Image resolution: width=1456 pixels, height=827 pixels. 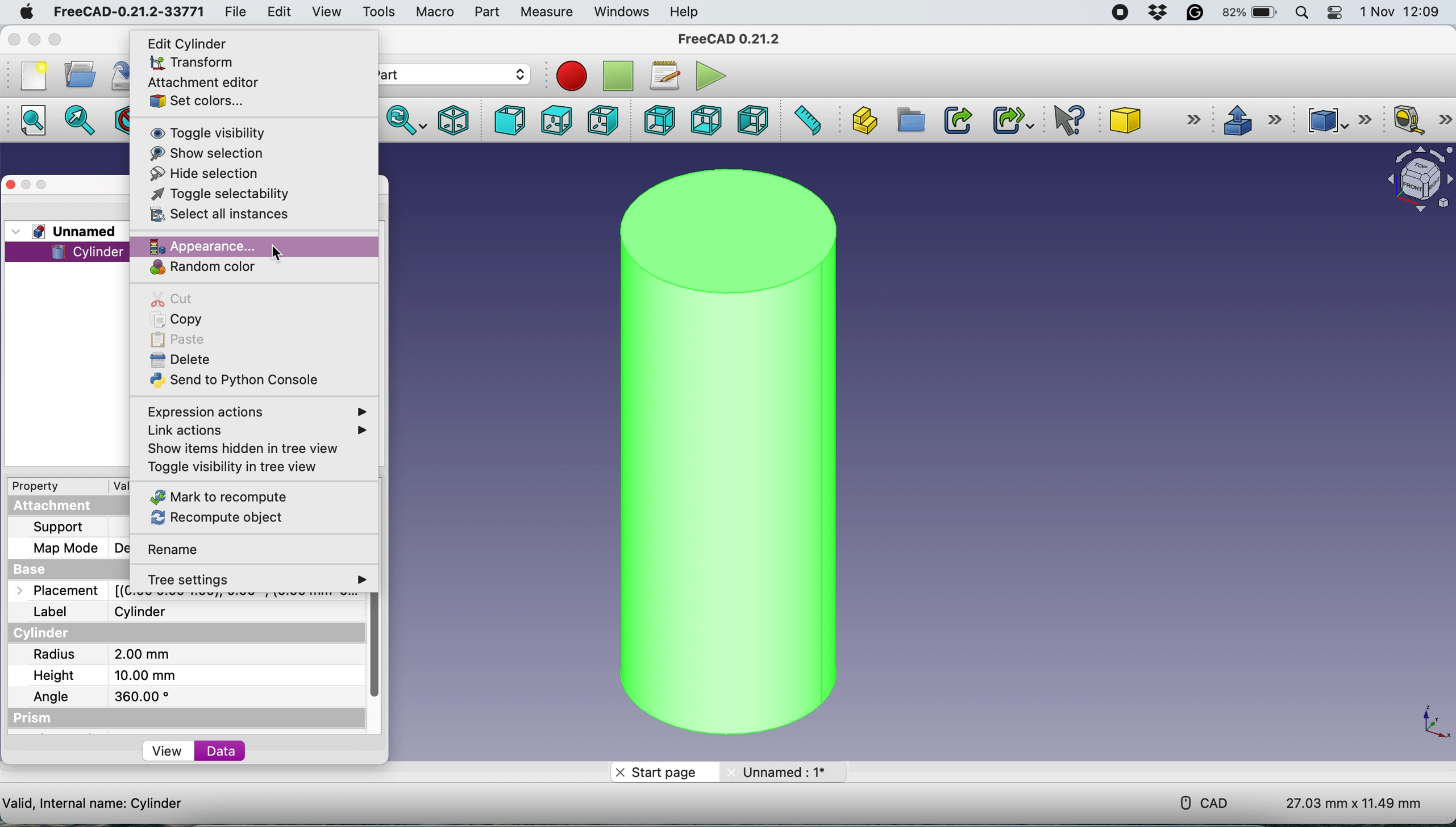 What do you see at coordinates (219, 750) in the screenshot?
I see `data` at bounding box center [219, 750].